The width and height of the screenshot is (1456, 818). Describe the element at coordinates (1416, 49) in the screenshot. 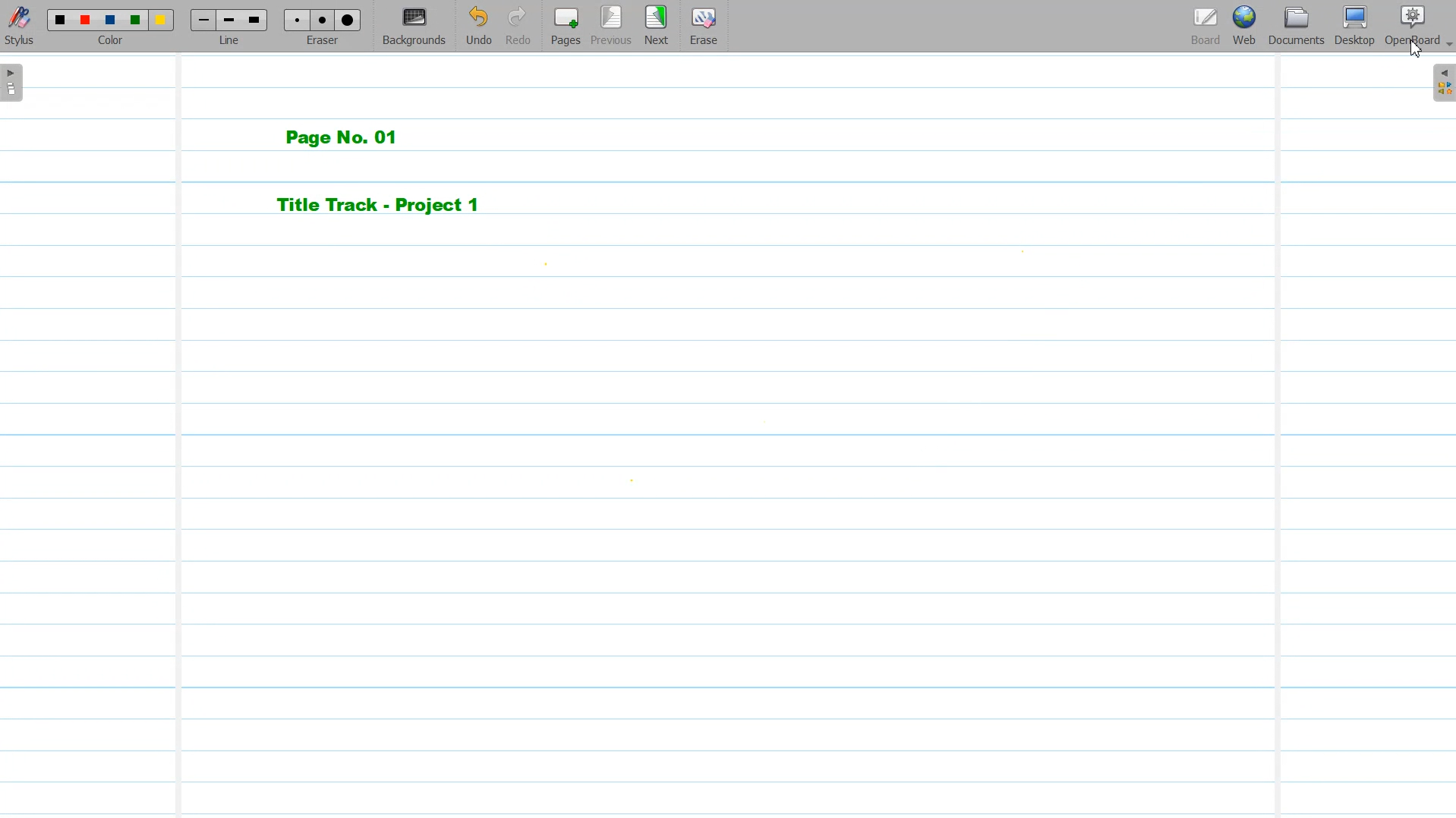

I see `Cursor` at that location.